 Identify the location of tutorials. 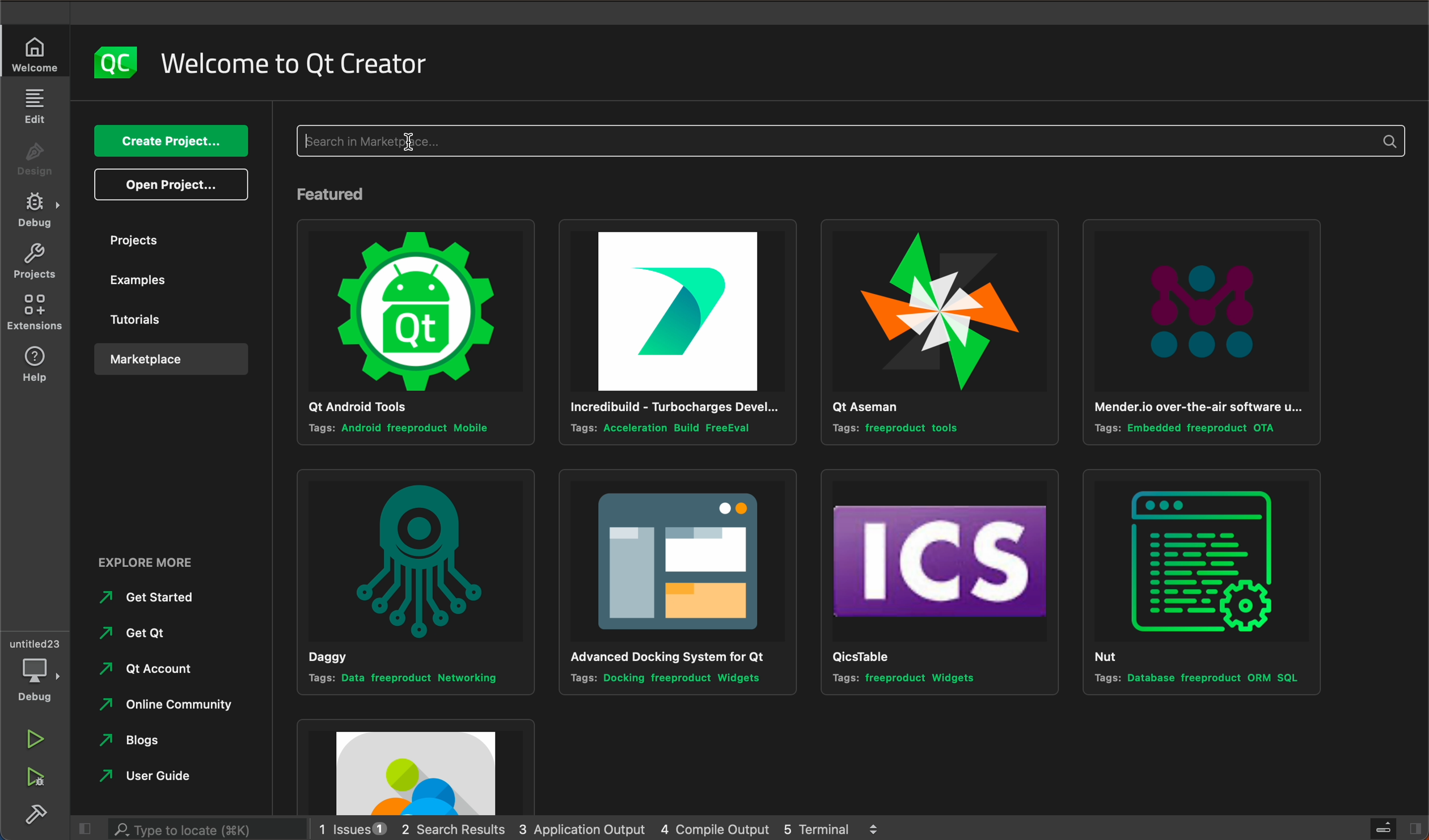
(166, 320).